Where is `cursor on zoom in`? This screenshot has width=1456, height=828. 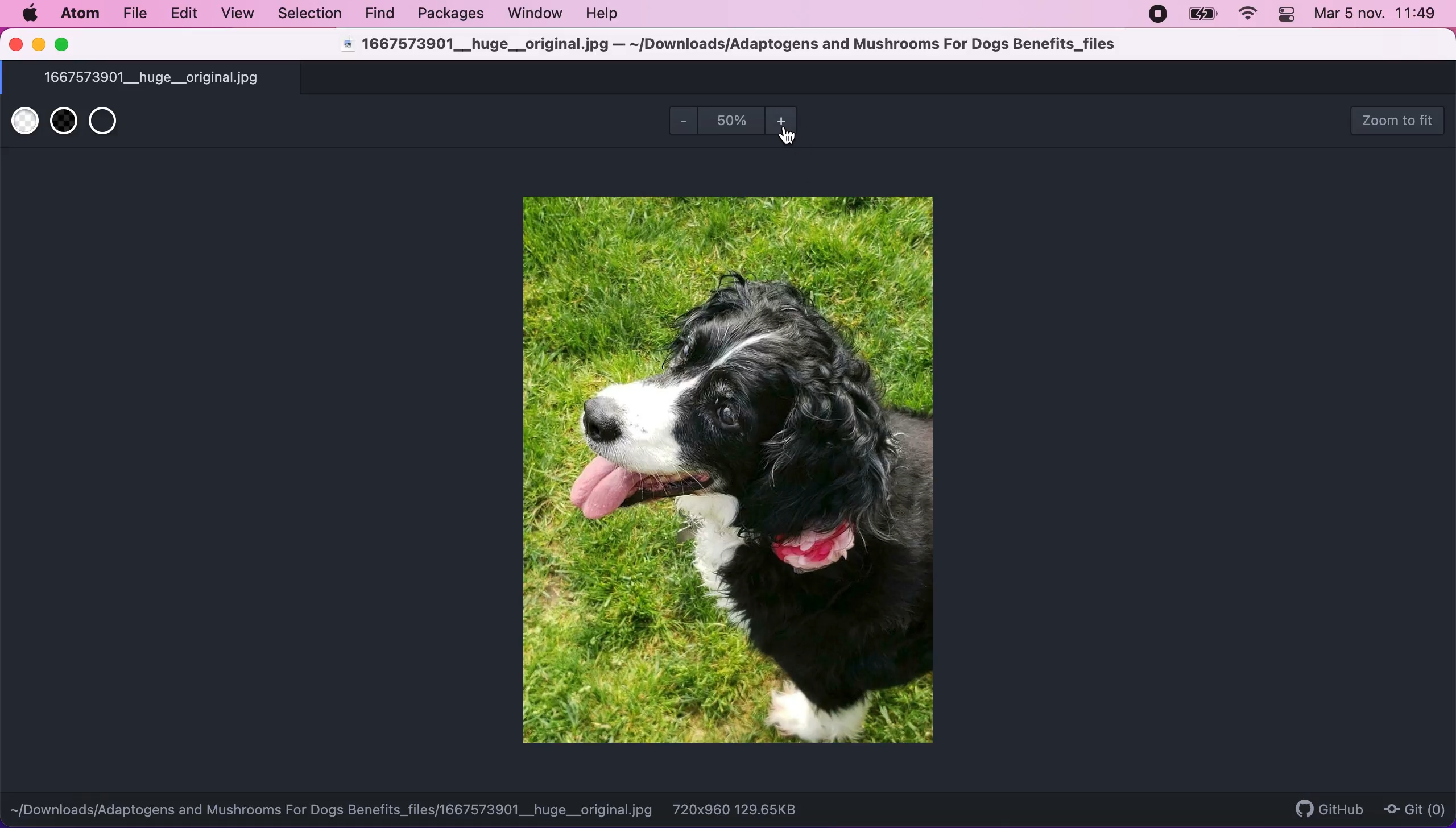
cursor on zoom in is located at coordinates (792, 139).